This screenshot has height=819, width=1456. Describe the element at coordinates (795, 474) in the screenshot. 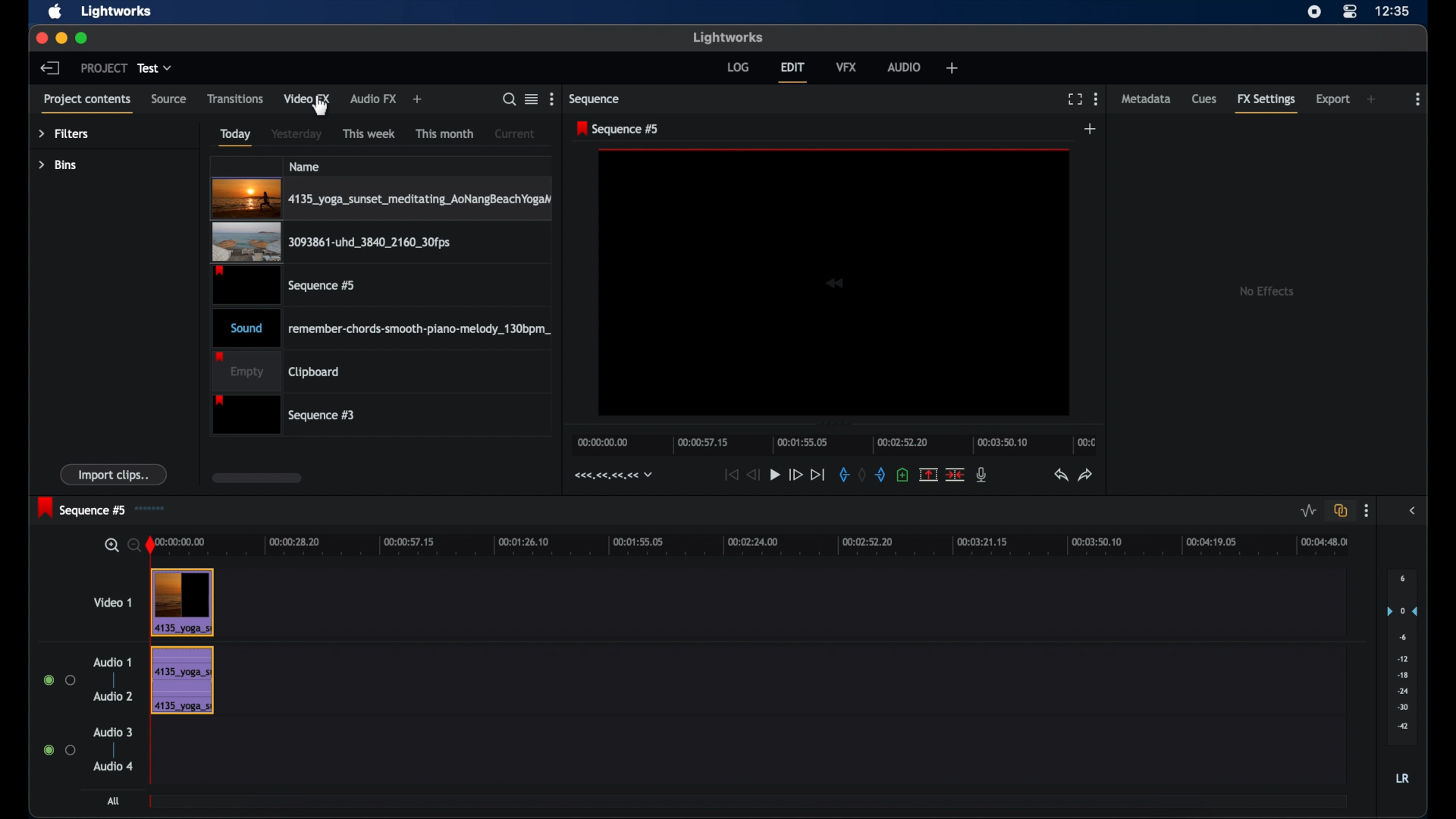

I see `fast forward` at that location.